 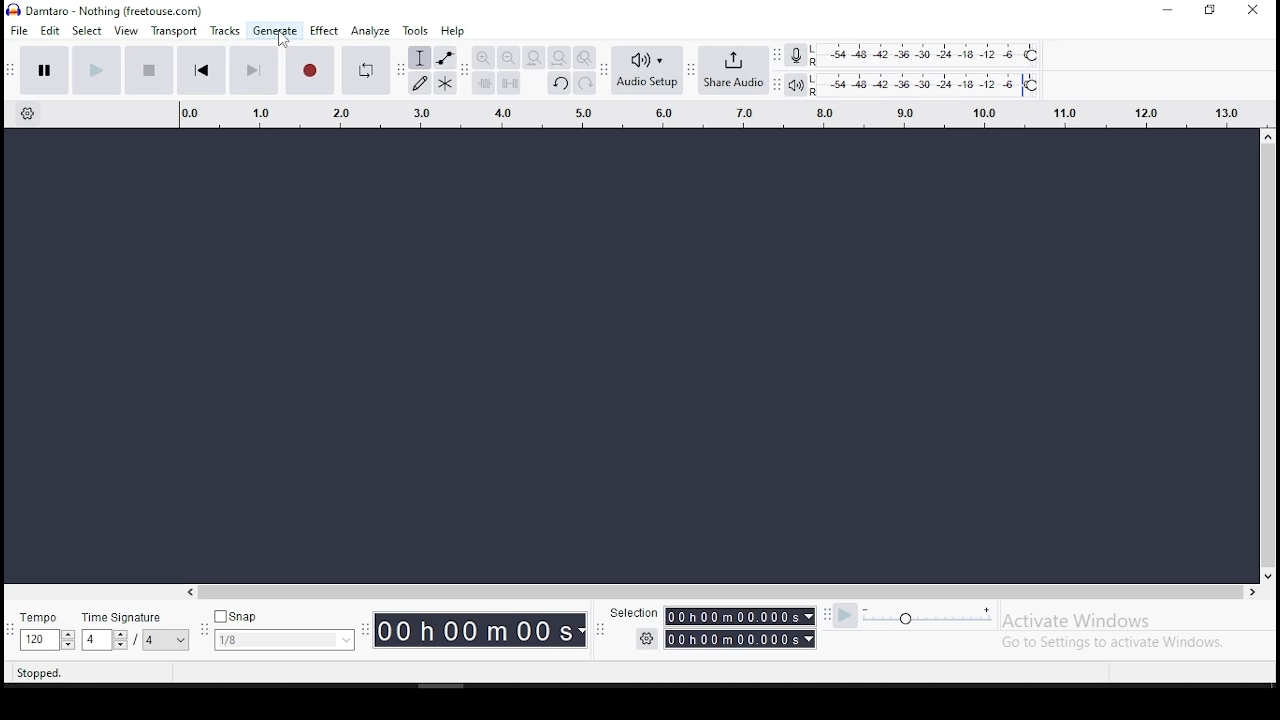 I want to click on record, so click(x=310, y=70).